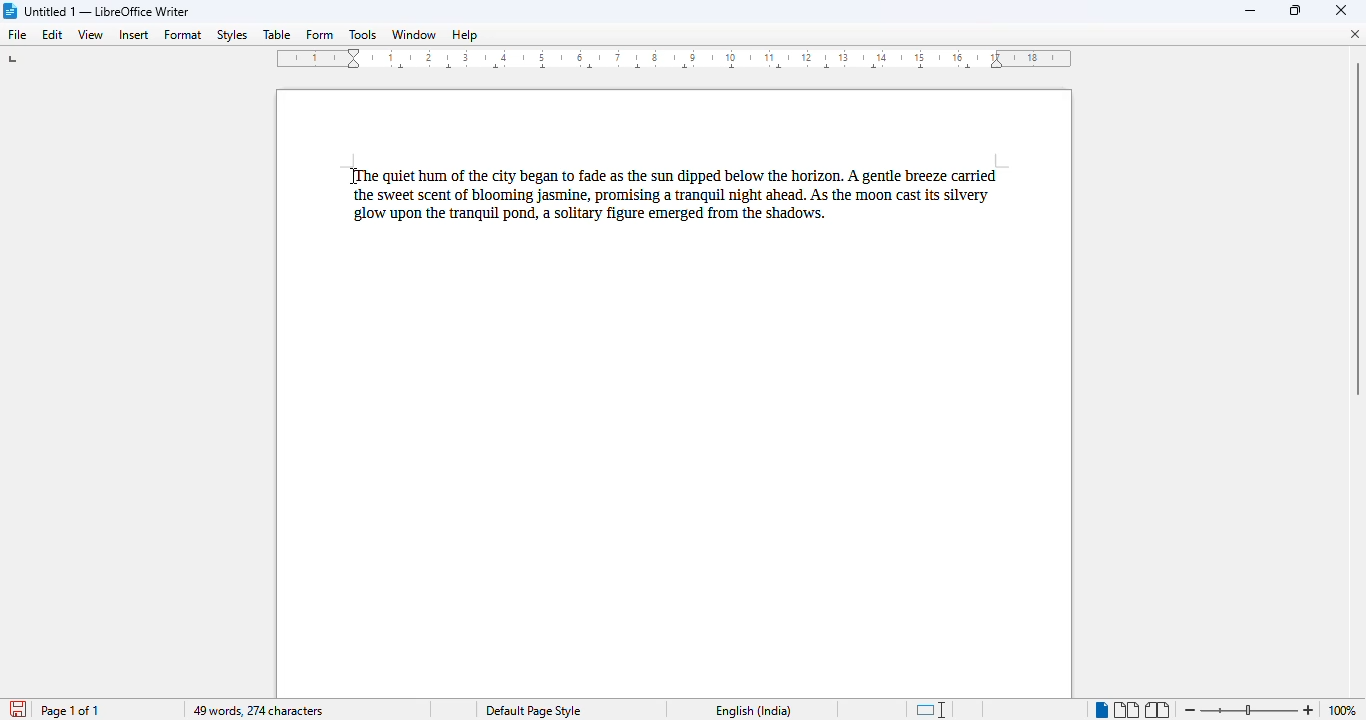 The width and height of the screenshot is (1366, 720). Describe the element at coordinates (1339, 710) in the screenshot. I see `100%` at that location.